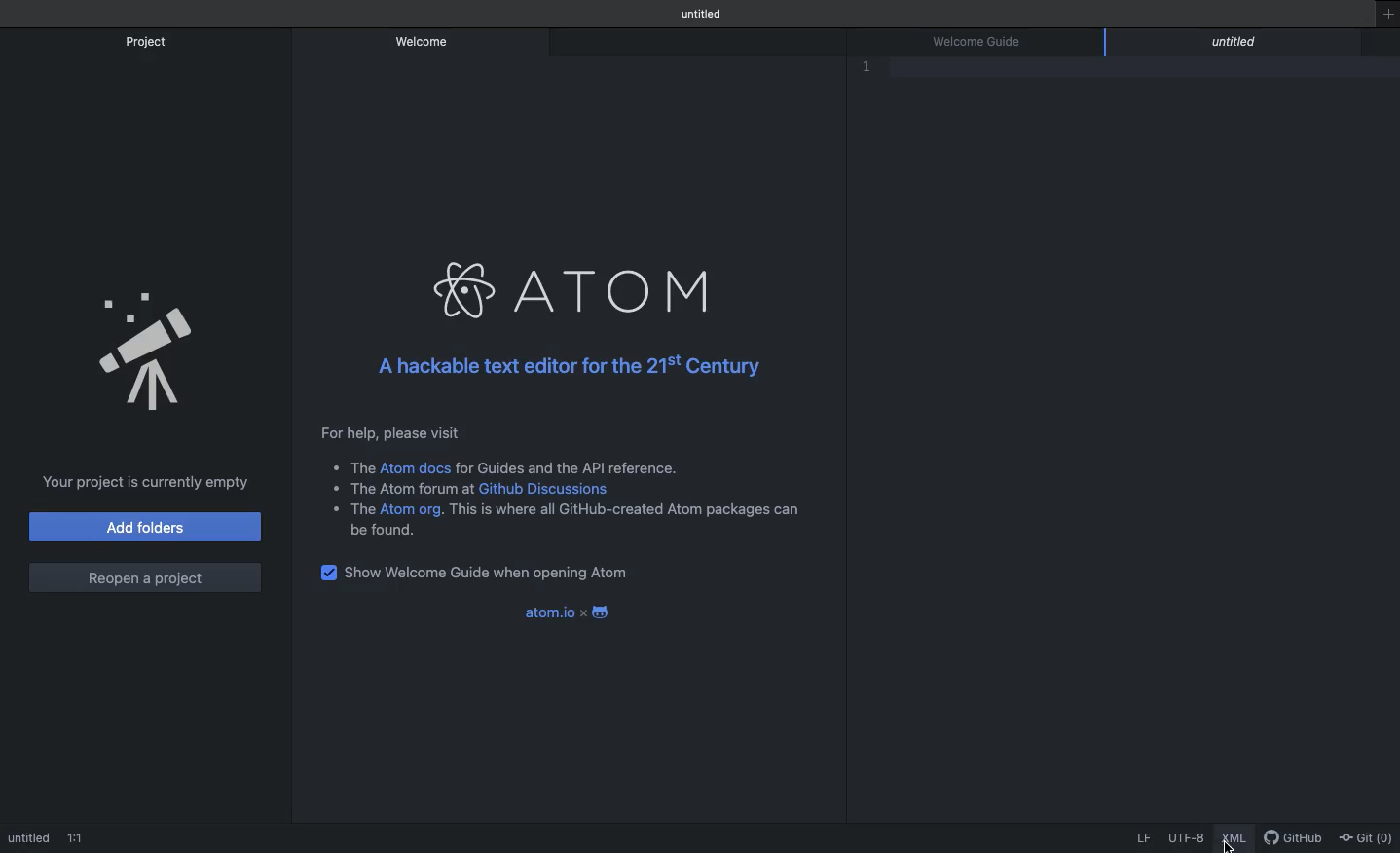  I want to click on Project, so click(146, 352).